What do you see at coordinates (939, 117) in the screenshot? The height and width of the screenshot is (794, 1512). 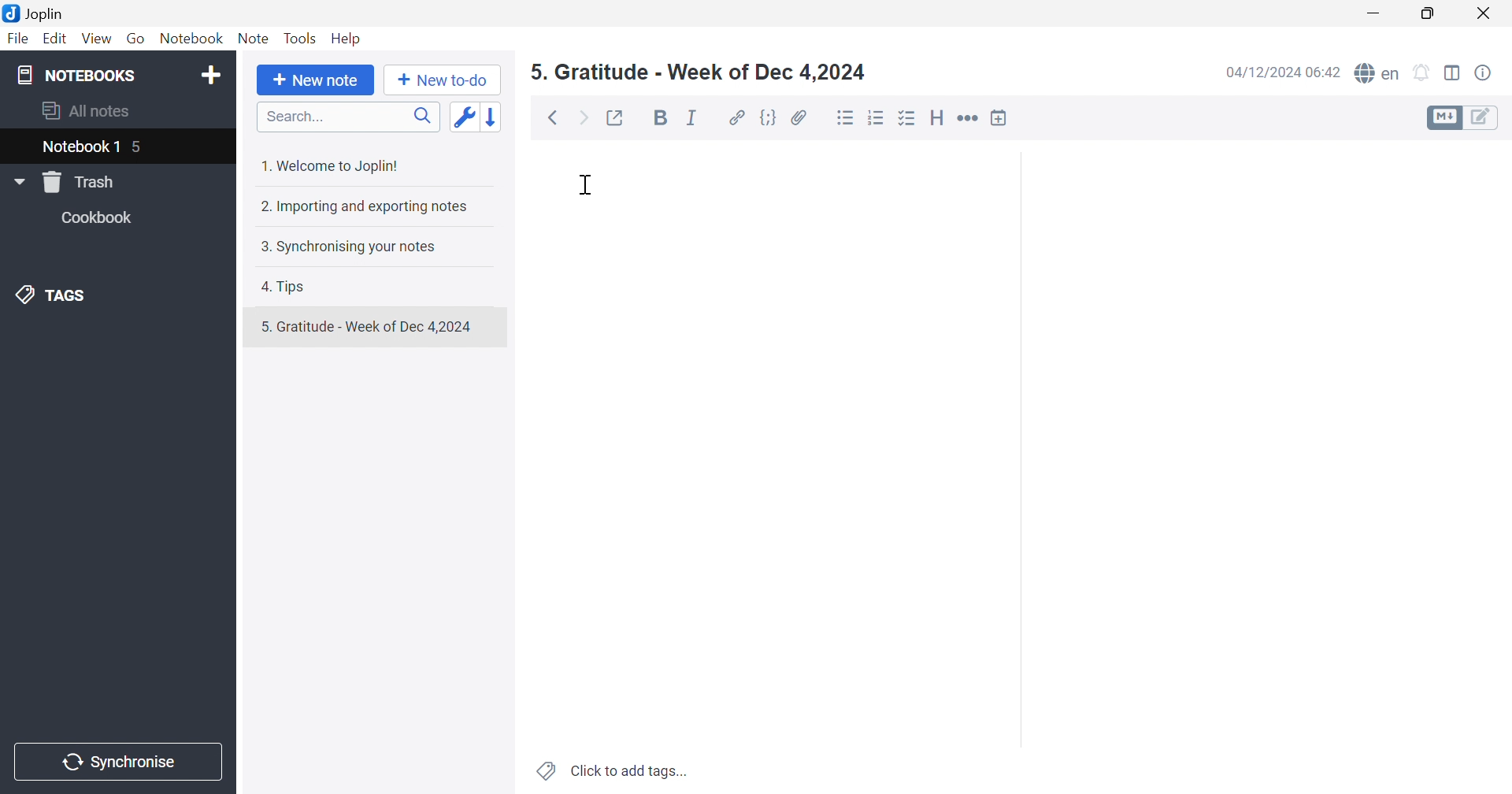 I see `Heading` at bounding box center [939, 117].